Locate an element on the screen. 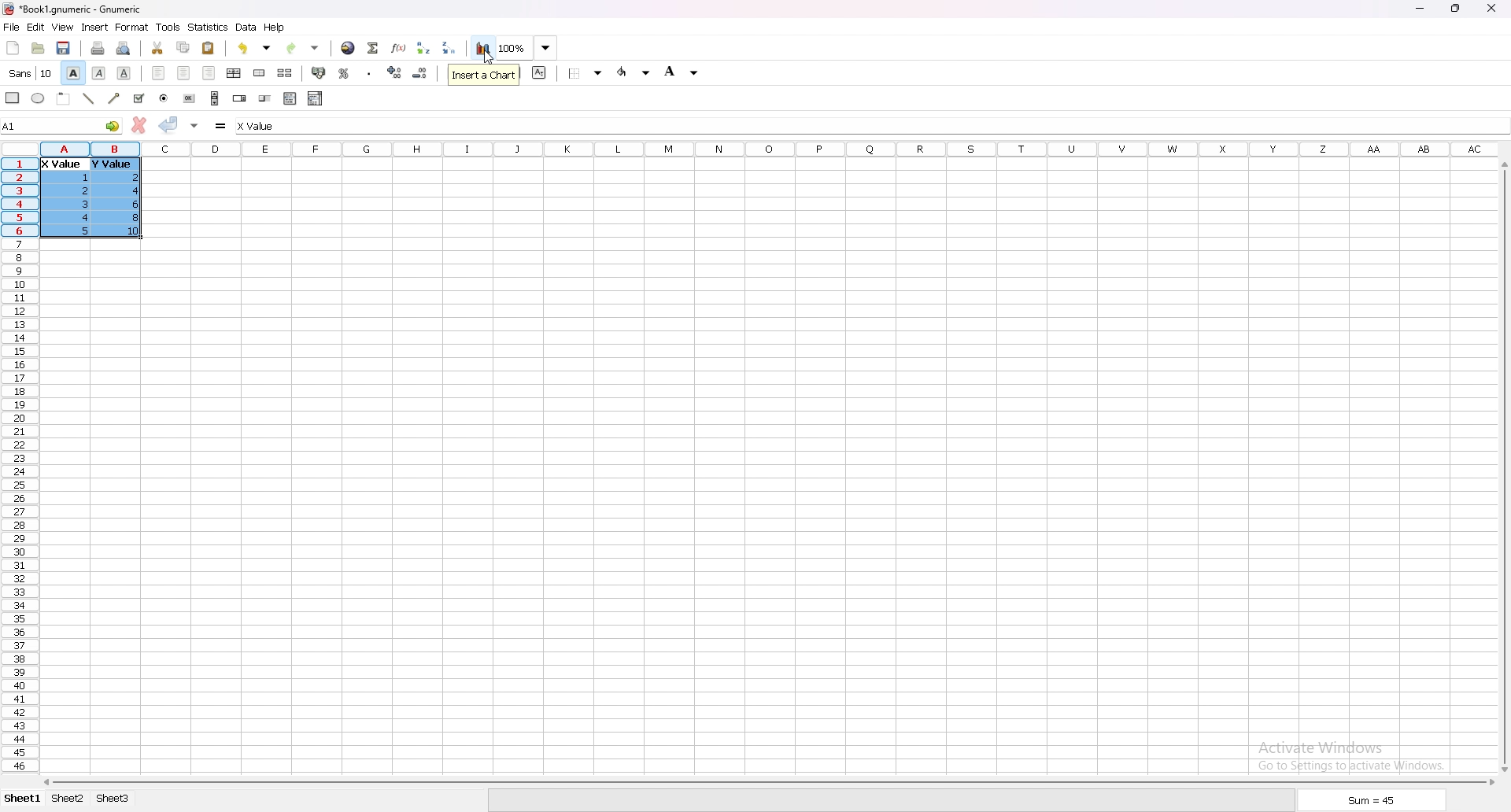 The image size is (1511, 812). insert is located at coordinates (95, 27).